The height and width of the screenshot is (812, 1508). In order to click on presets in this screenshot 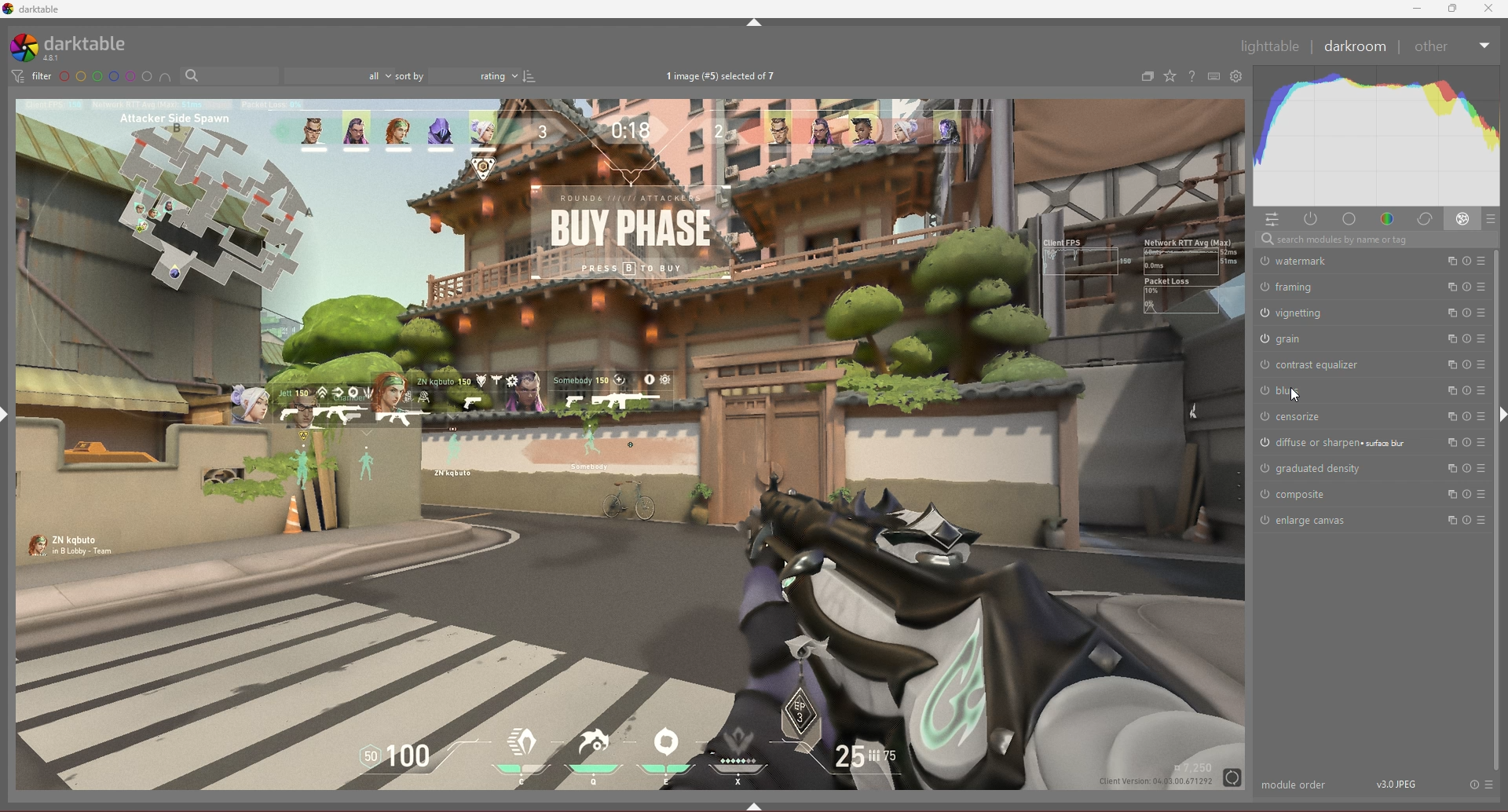, I will do `click(1481, 390)`.